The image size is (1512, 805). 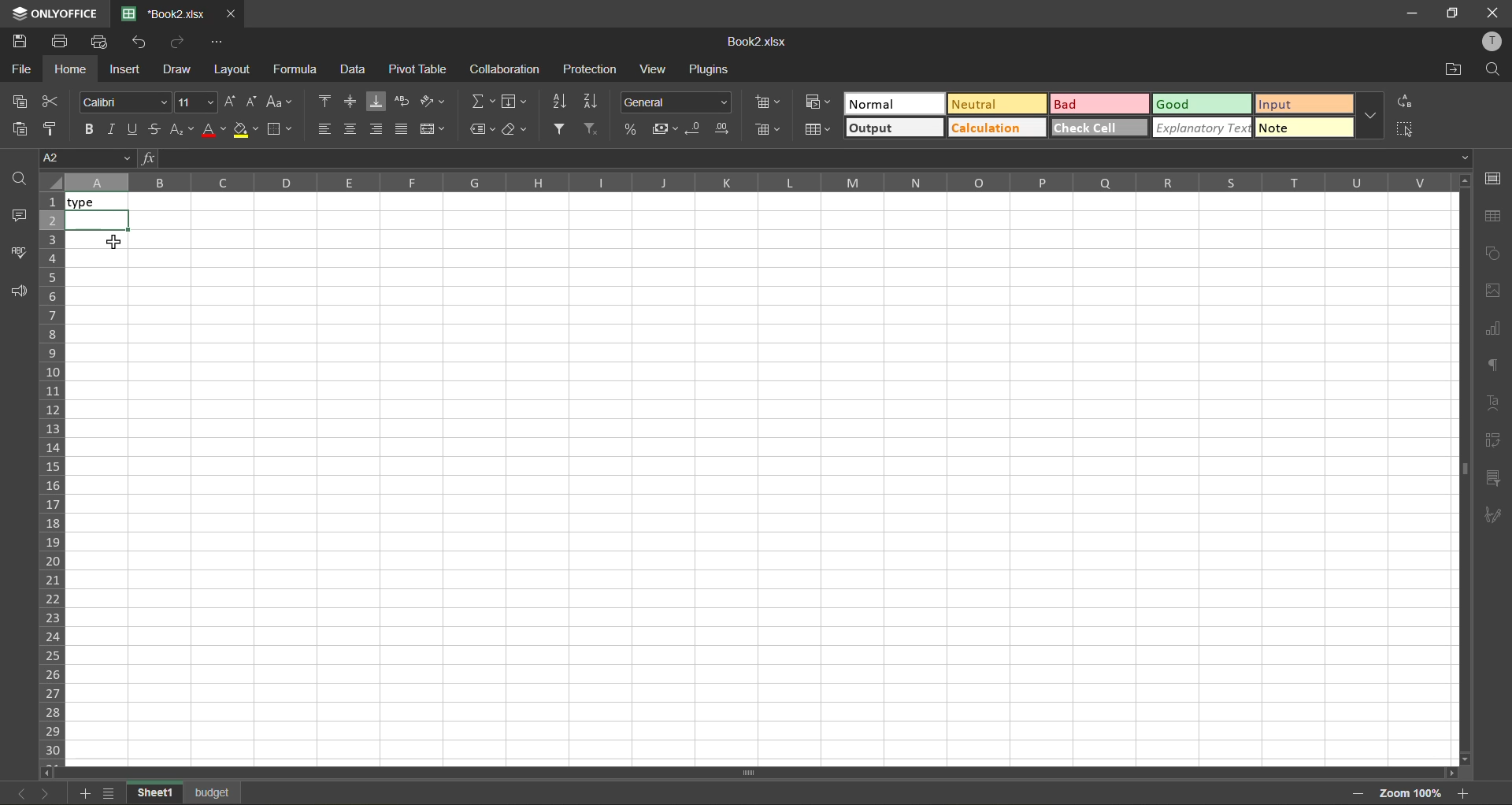 I want to click on decrease decimal, so click(x=693, y=129).